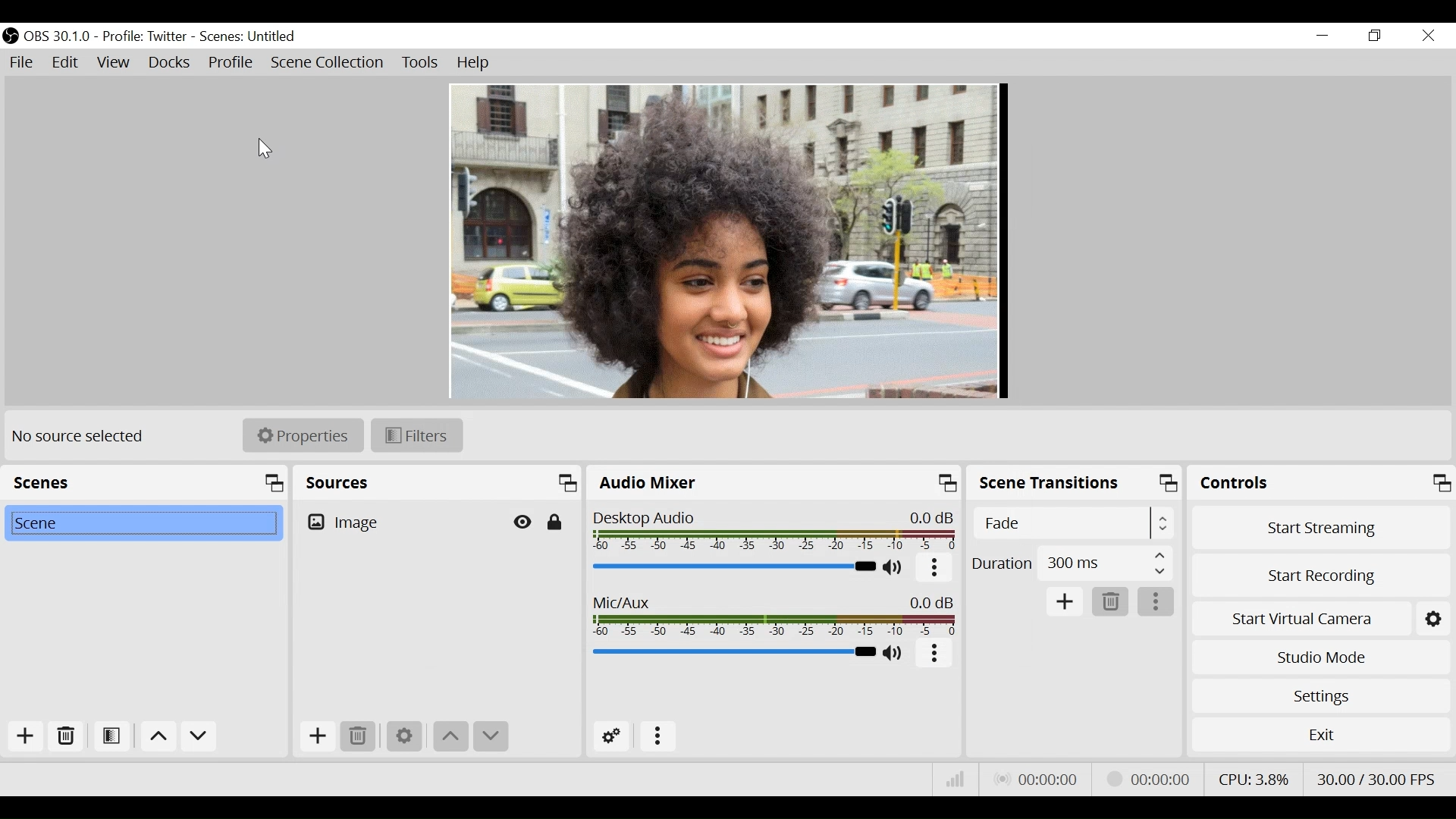 Image resolution: width=1456 pixels, height=819 pixels. Describe the element at coordinates (1320, 696) in the screenshot. I see `Settings ` at that location.